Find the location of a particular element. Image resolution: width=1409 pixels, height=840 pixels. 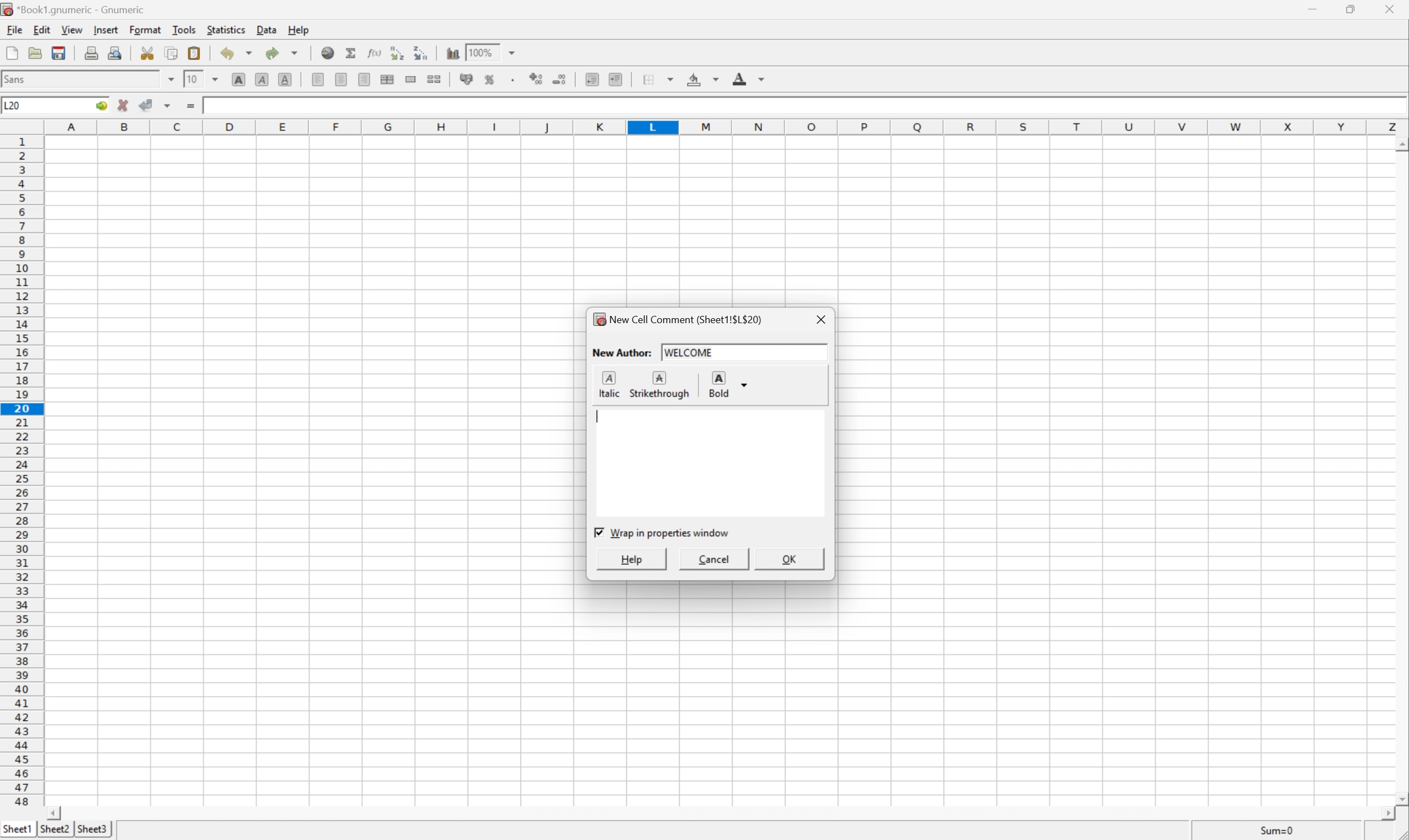

Enter formula is located at coordinates (190, 107).